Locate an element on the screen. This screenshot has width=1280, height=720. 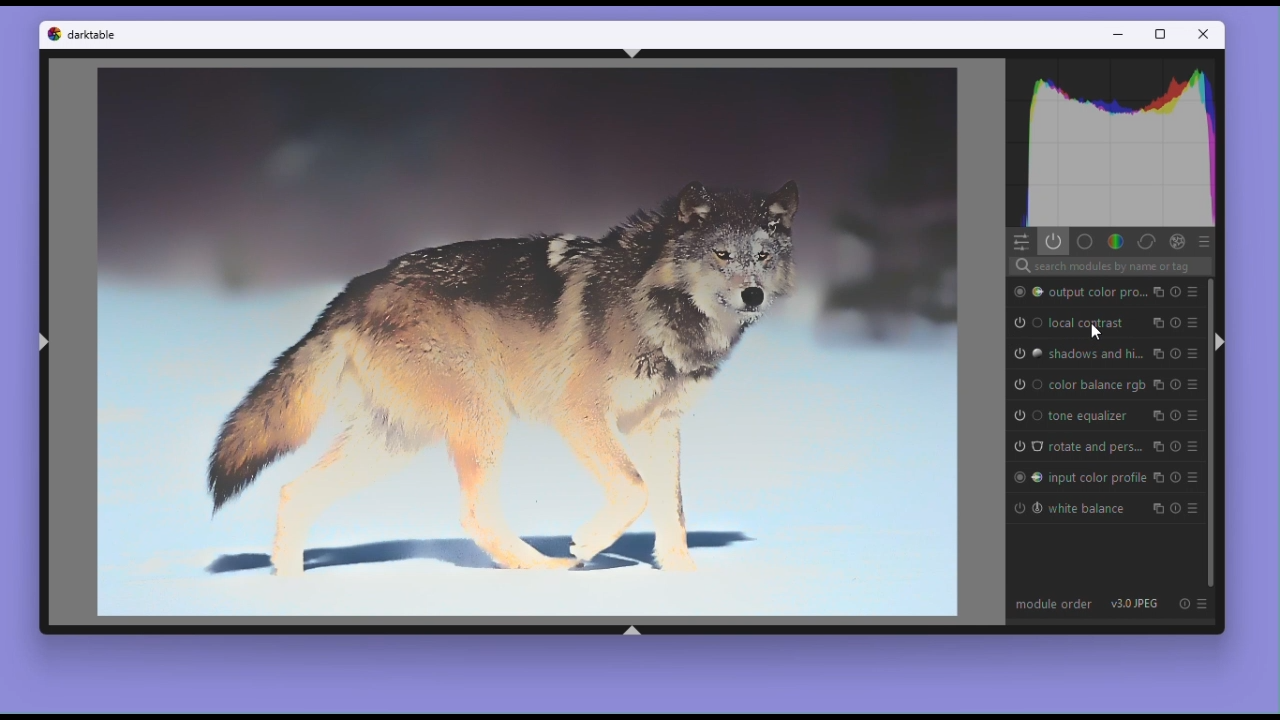
base is located at coordinates (1086, 241).